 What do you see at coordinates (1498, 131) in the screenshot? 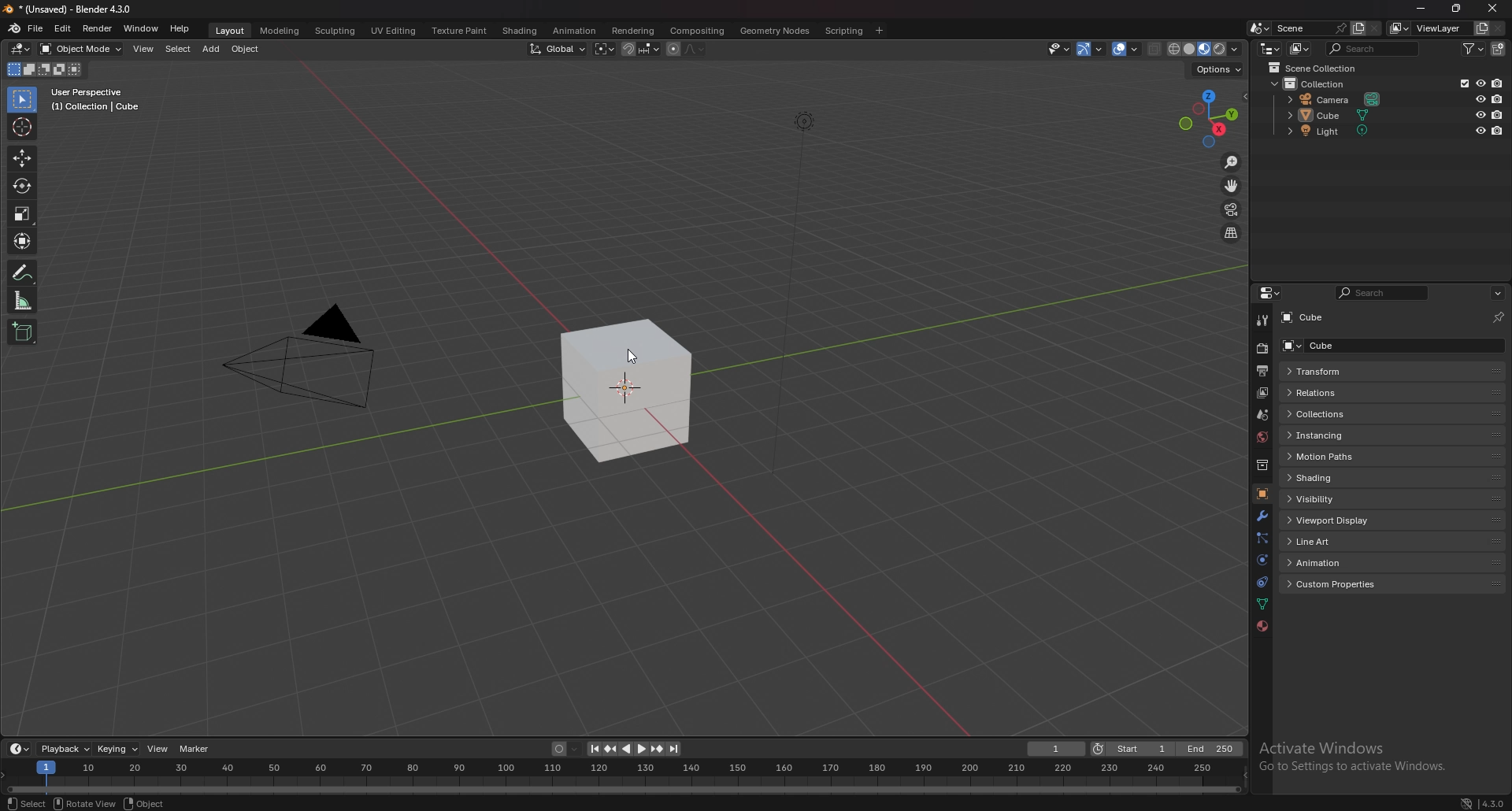
I see `disable in renders` at bounding box center [1498, 131].